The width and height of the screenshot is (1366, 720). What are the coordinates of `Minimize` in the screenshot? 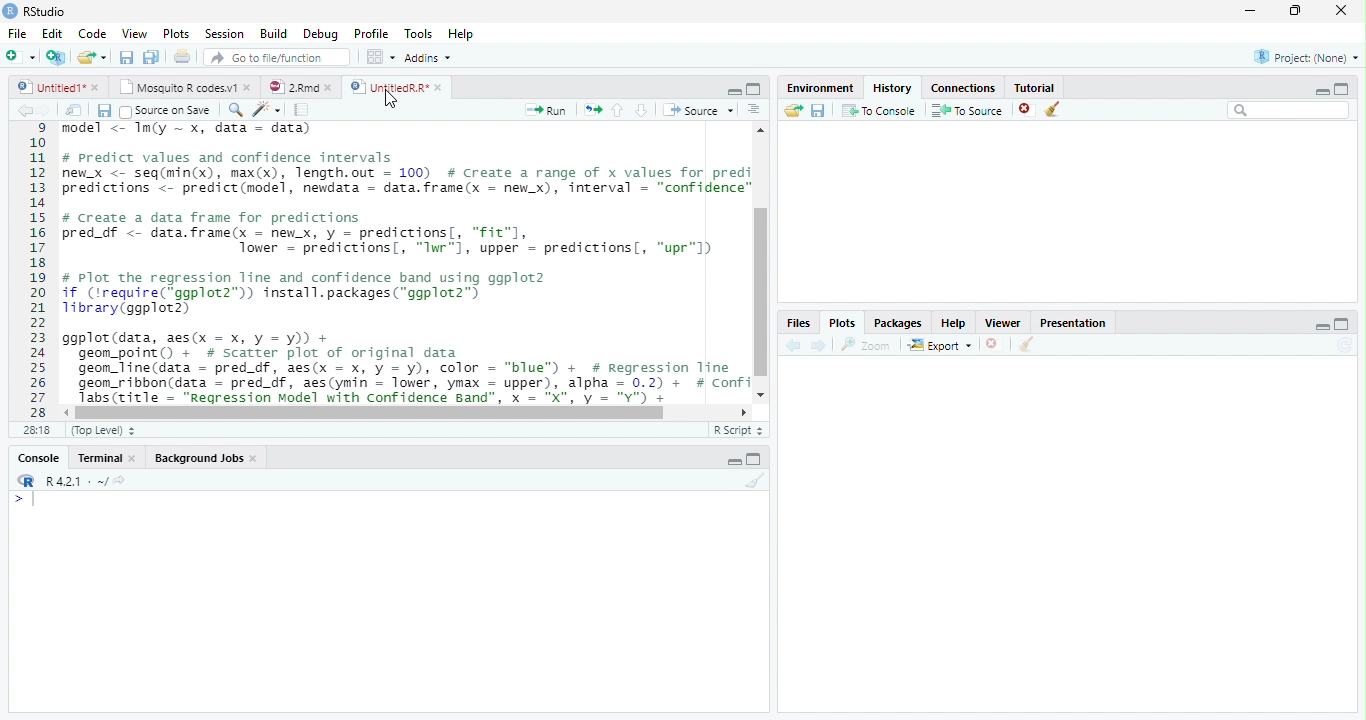 It's located at (1252, 10).